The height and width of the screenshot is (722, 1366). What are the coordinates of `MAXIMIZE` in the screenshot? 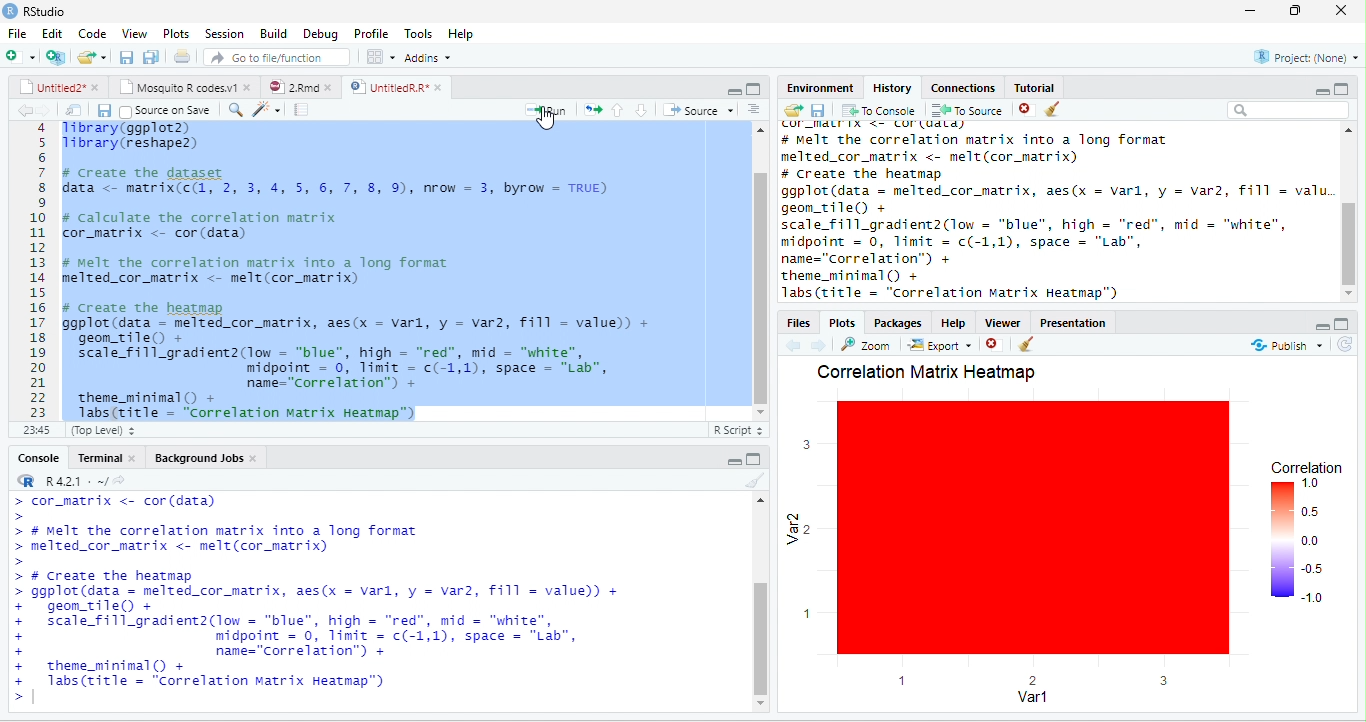 It's located at (1345, 322).